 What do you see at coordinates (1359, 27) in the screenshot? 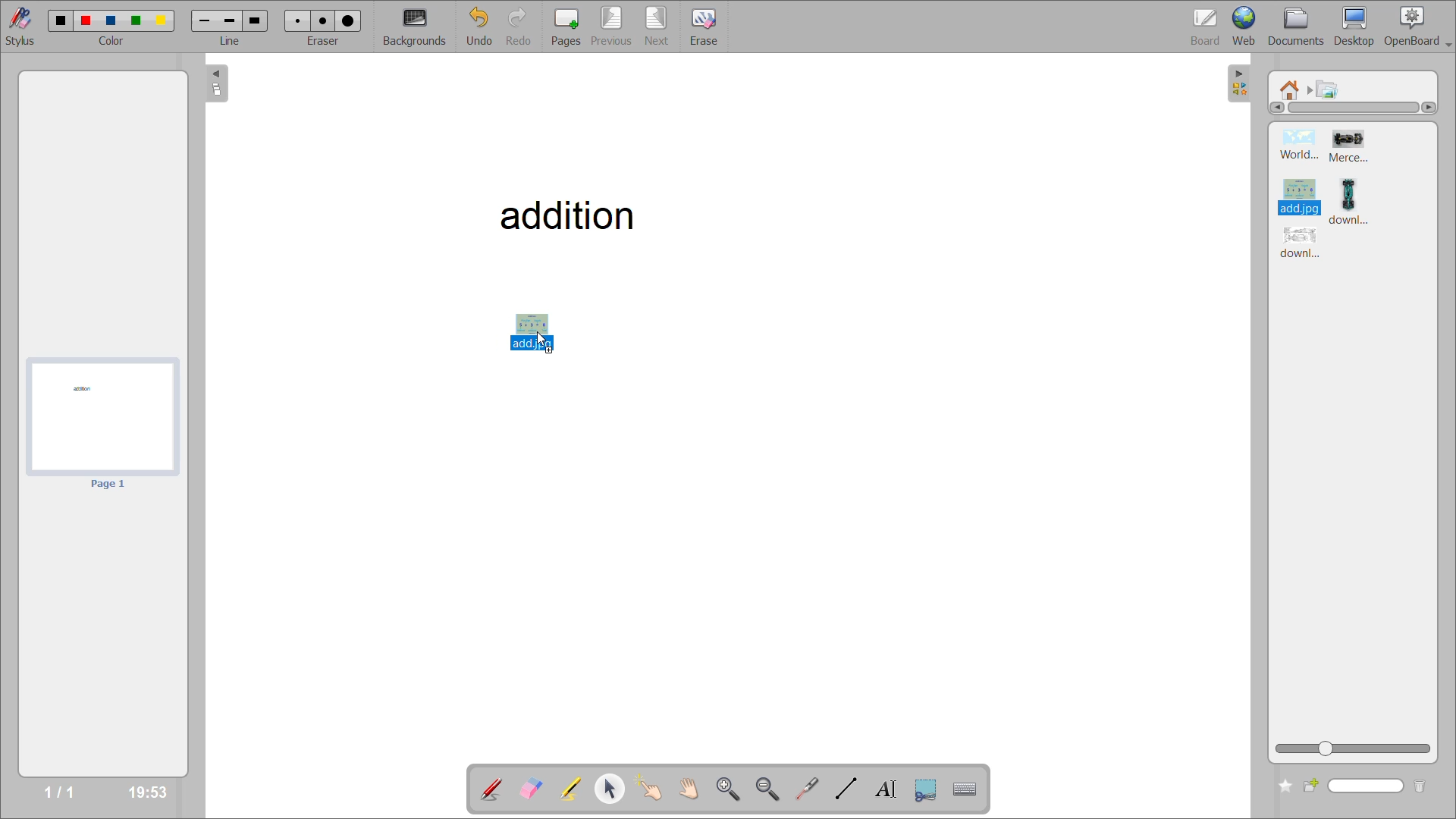
I see `desktop` at bounding box center [1359, 27].